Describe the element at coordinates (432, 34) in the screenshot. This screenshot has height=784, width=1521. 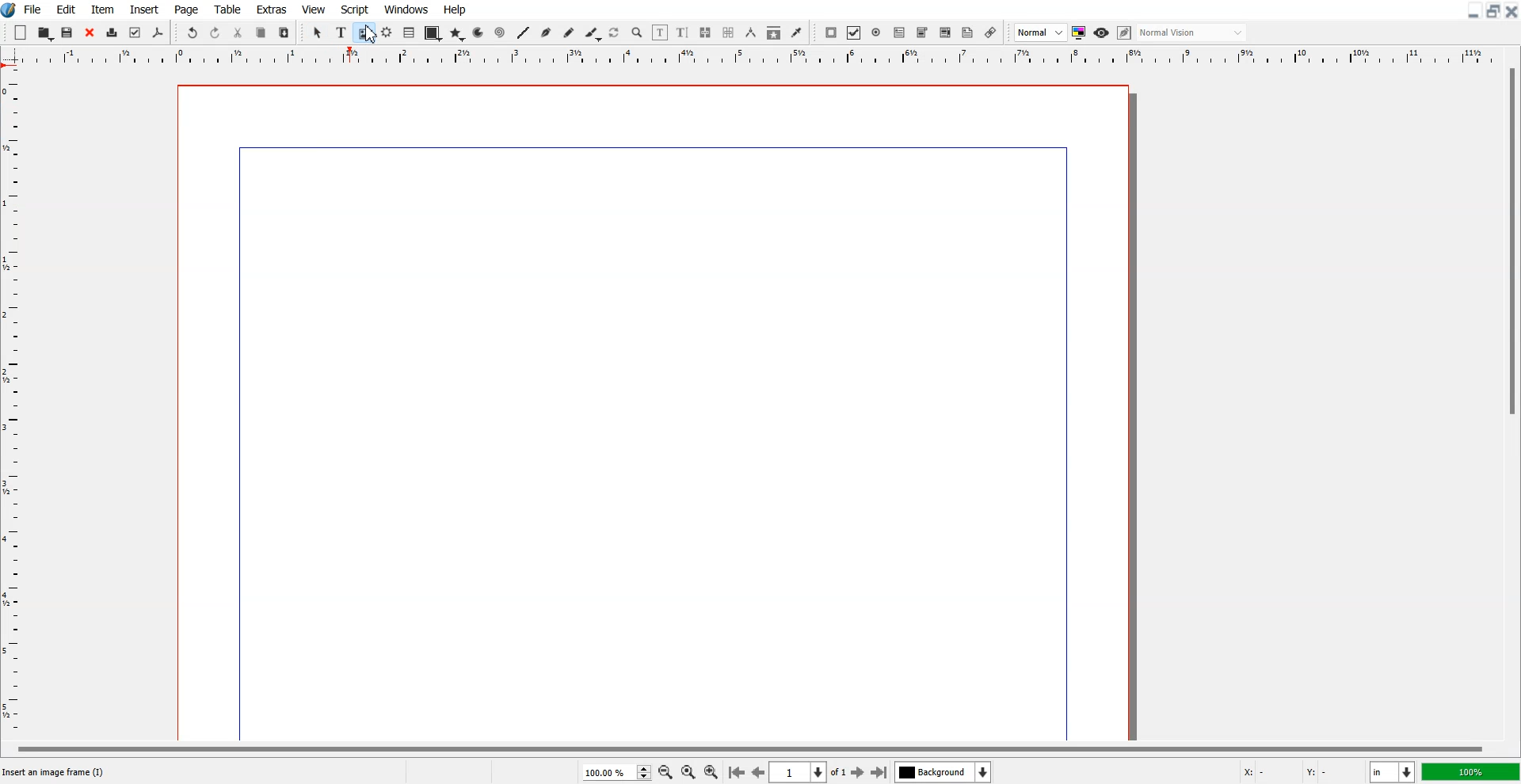
I see `Shape` at that location.